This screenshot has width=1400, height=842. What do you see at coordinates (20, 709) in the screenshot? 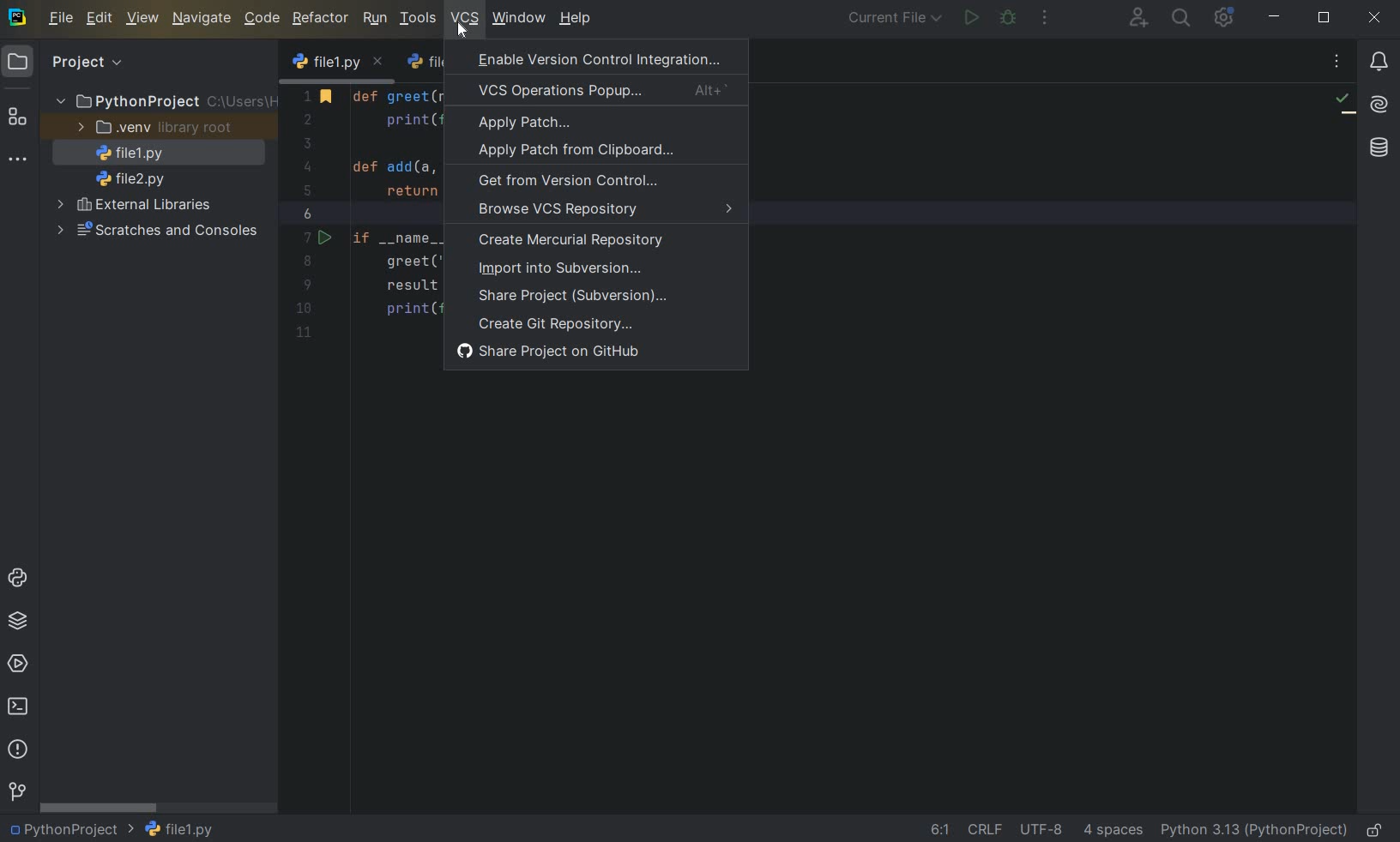
I see `terminal` at bounding box center [20, 709].